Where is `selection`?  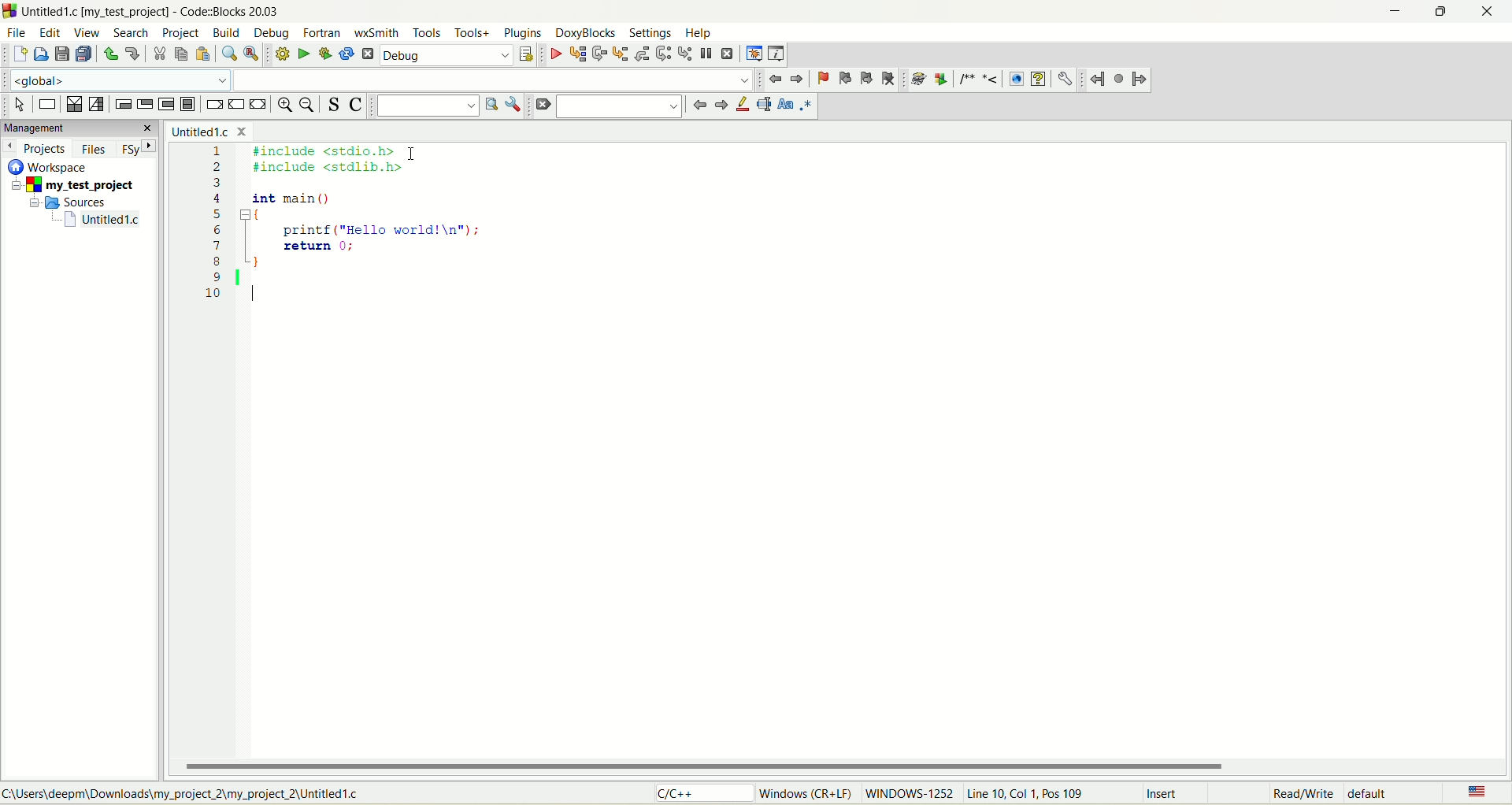
selection is located at coordinates (97, 106).